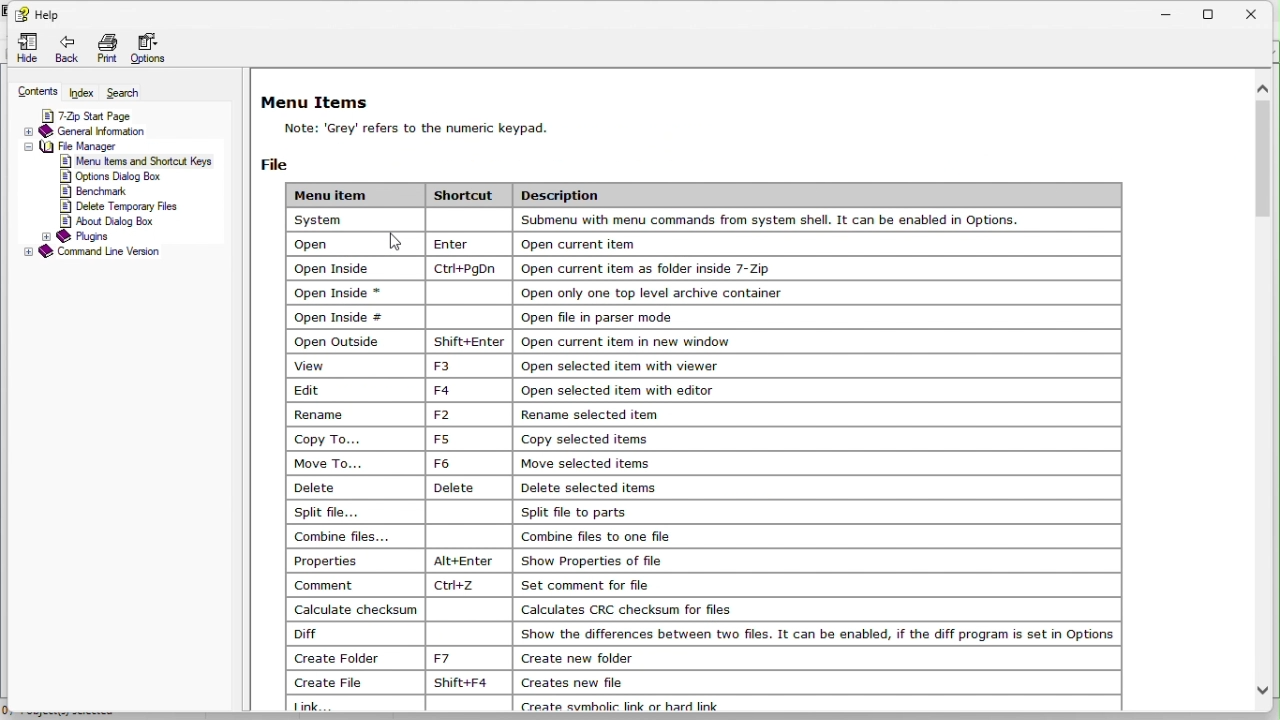 Image resolution: width=1280 pixels, height=720 pixels. I want to click on | Open Inside * 1 | Open only one top level archive container, so click(545, 292).